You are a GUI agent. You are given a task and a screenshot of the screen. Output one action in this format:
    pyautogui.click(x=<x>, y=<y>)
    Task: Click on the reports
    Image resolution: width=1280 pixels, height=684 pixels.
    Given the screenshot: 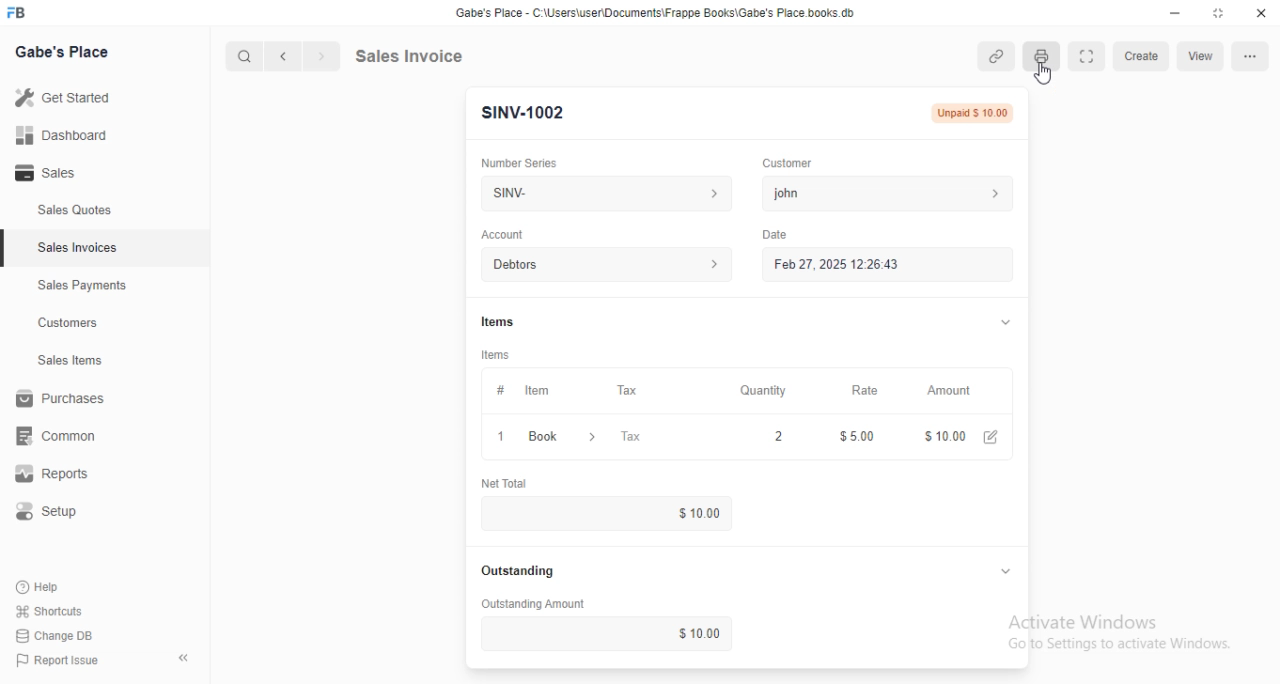 What is the action you would take?
    pyautogui.click(x=51, y=474)
    